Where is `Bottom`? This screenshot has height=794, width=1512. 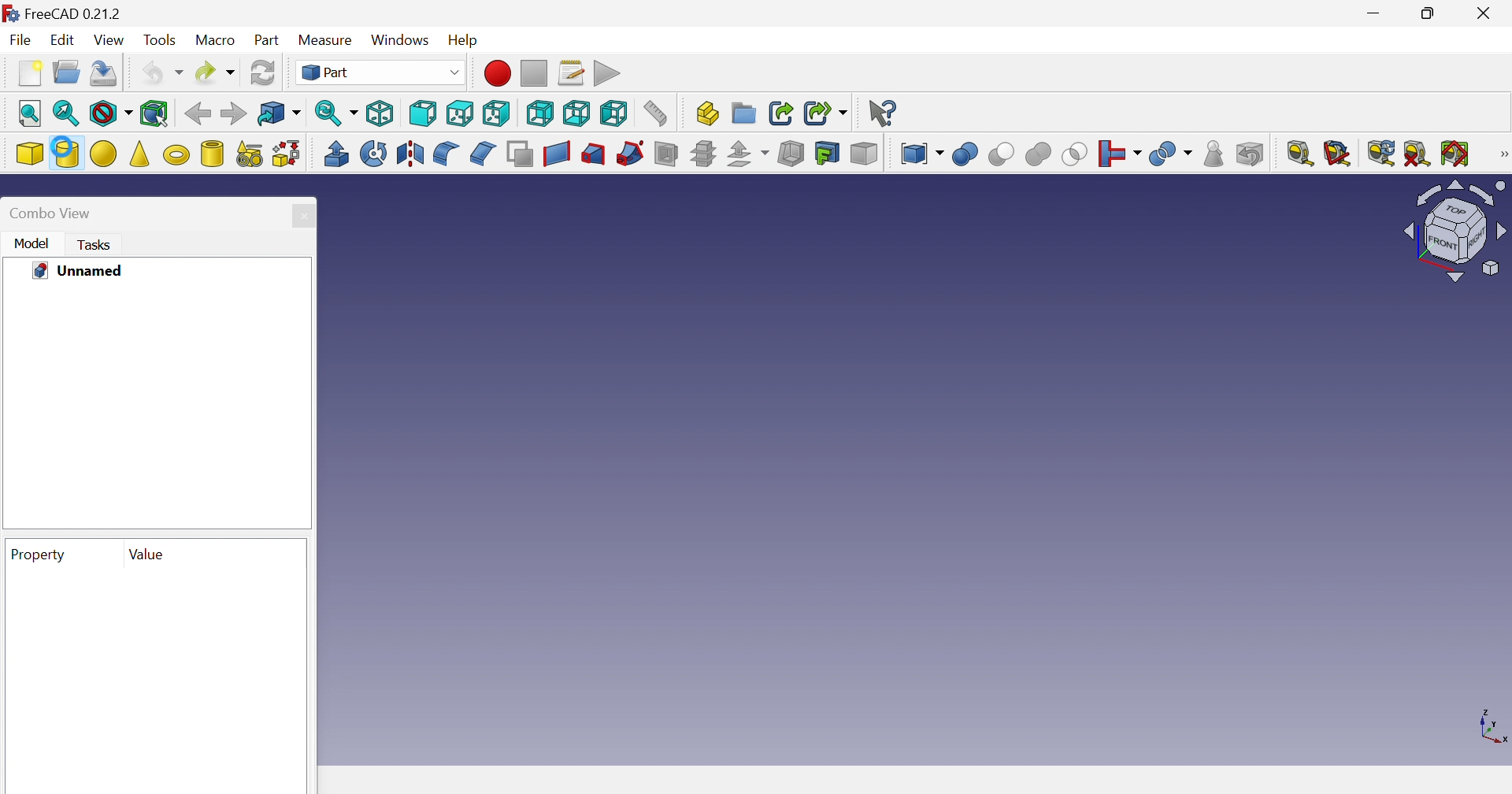
Bottom is located at coordinates (576, 115).